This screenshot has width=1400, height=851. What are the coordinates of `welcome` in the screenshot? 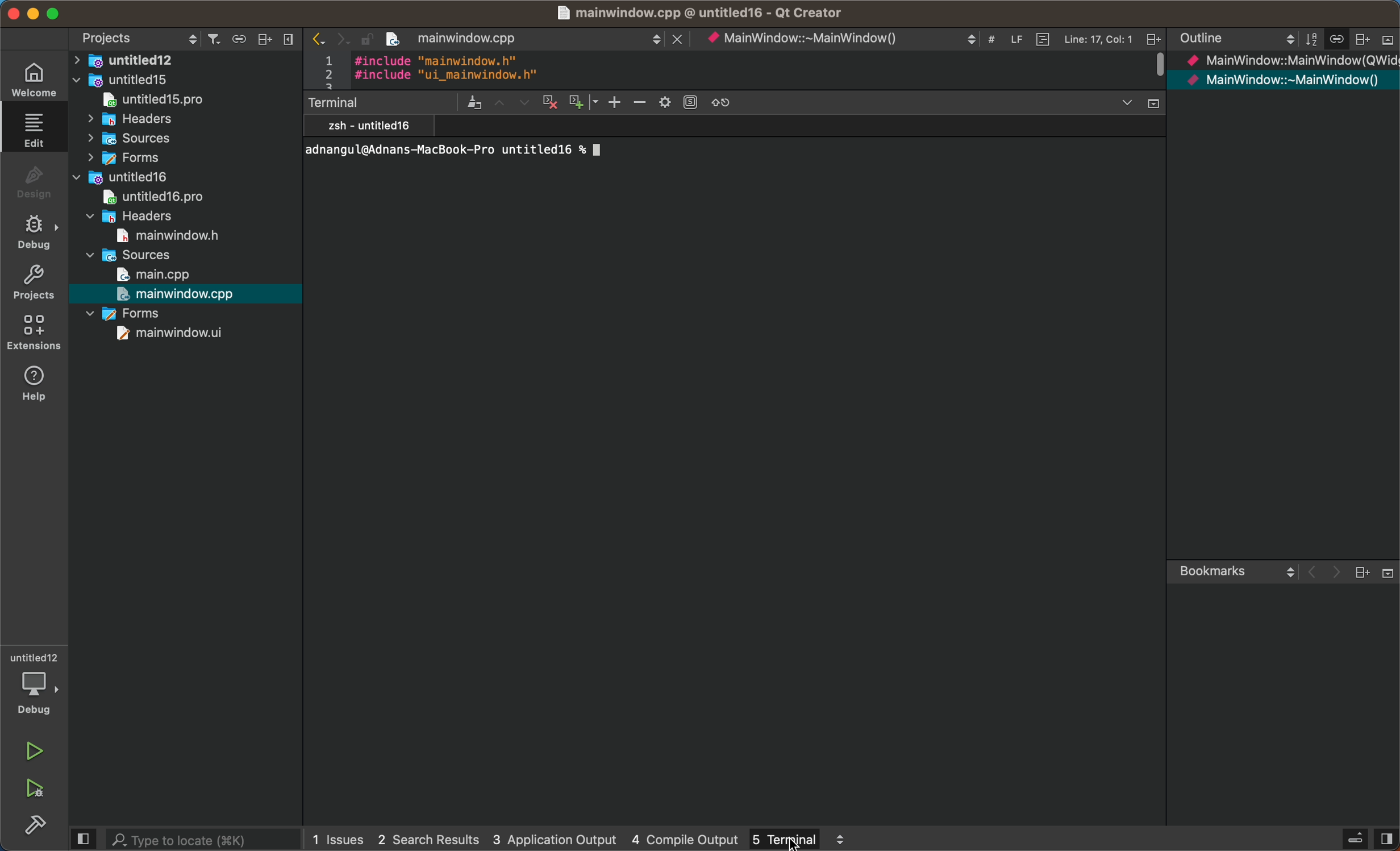 It's located at (37, 79).